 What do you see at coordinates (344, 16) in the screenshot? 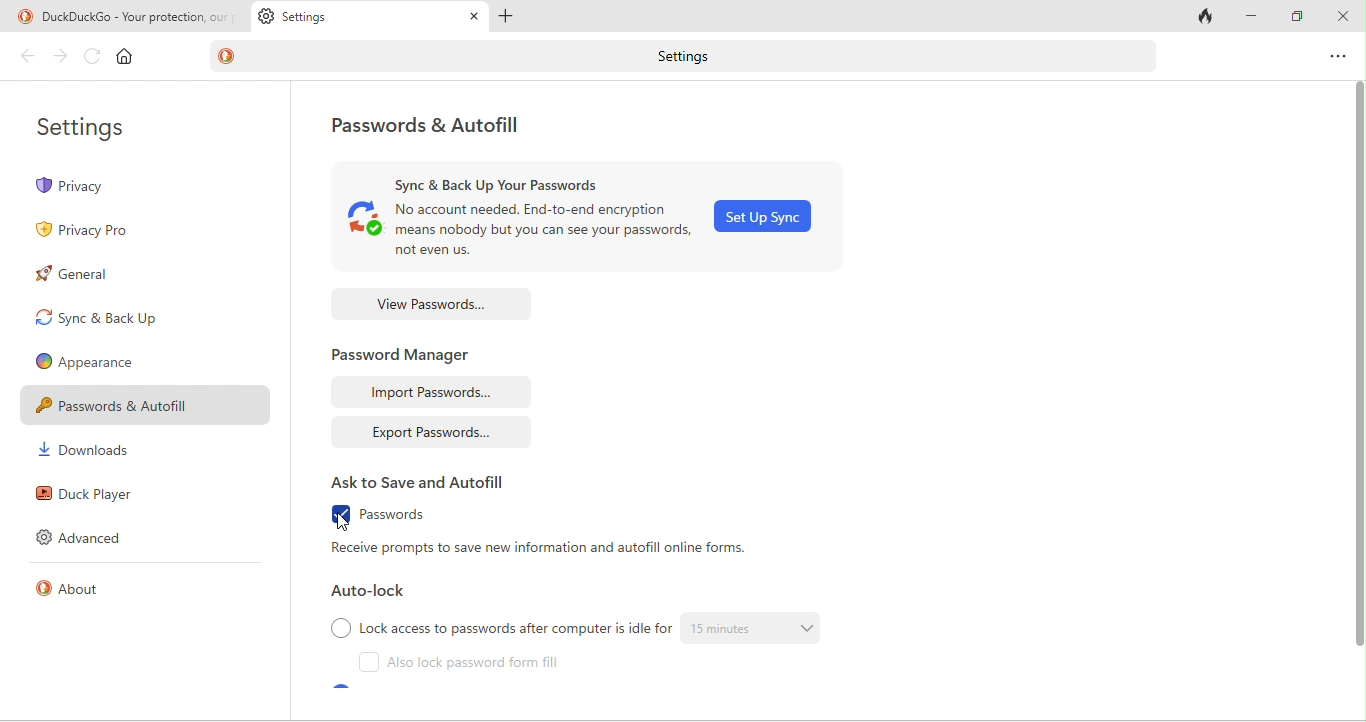
I see `settings tab` at bounding box center [344, 16].